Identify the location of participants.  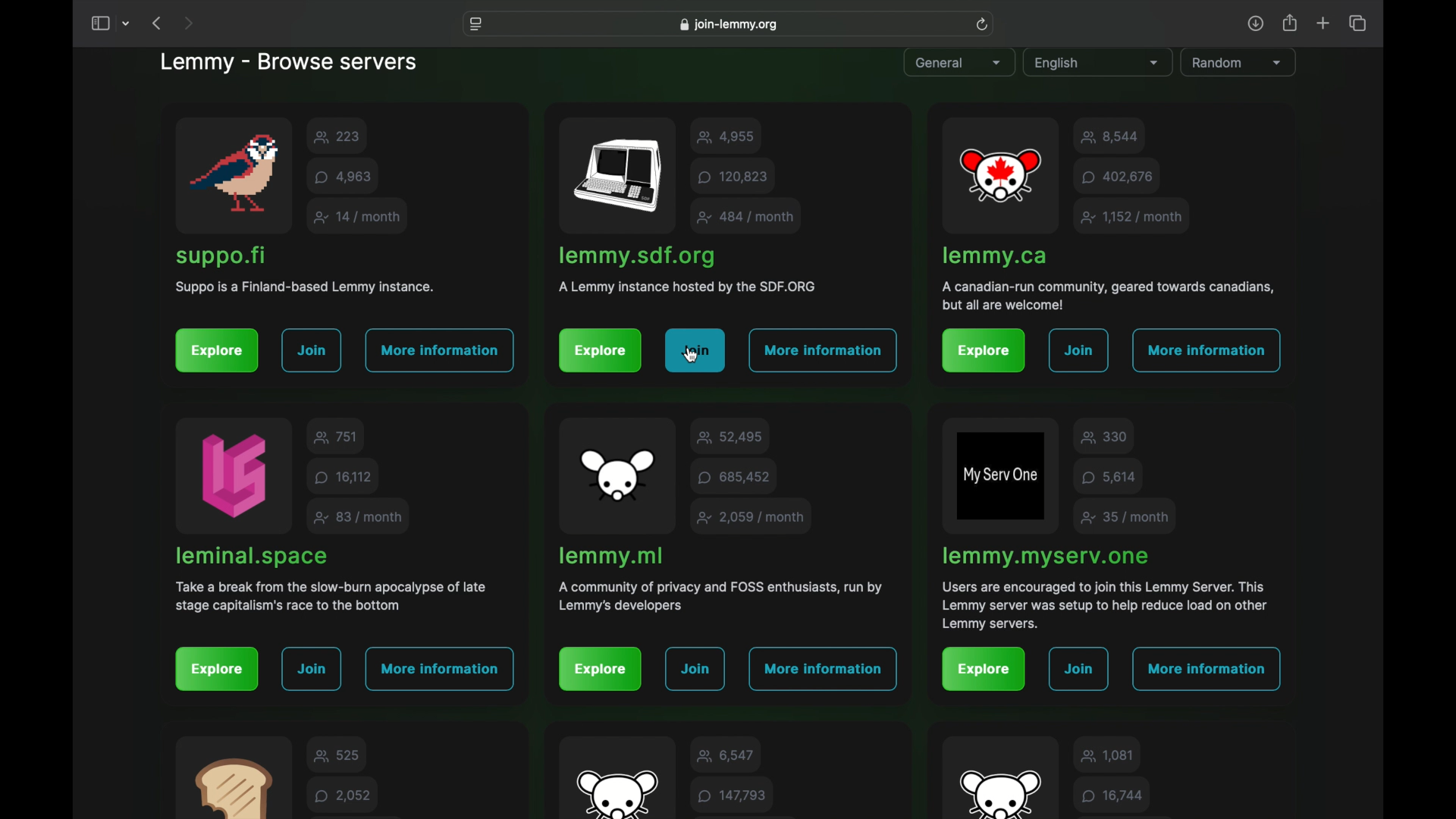
(1106, 438).